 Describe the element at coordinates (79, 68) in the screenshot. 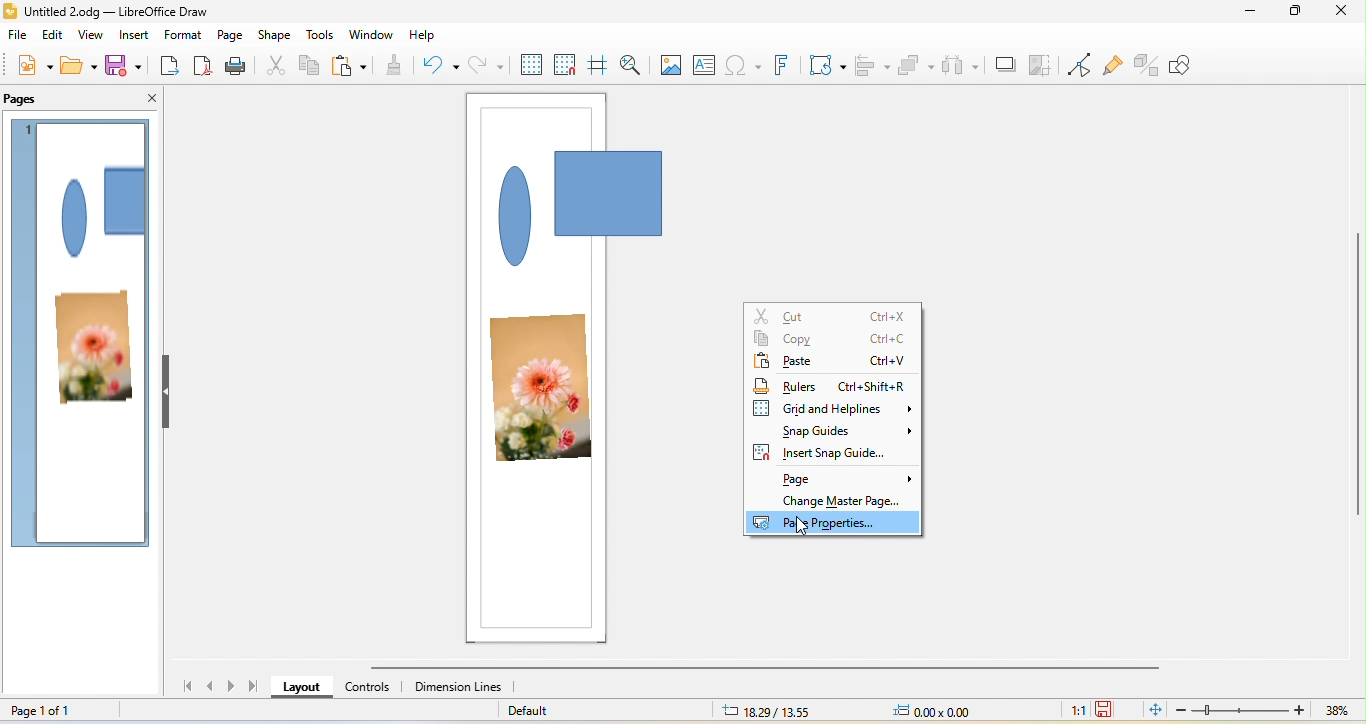

I see `open` at that location.